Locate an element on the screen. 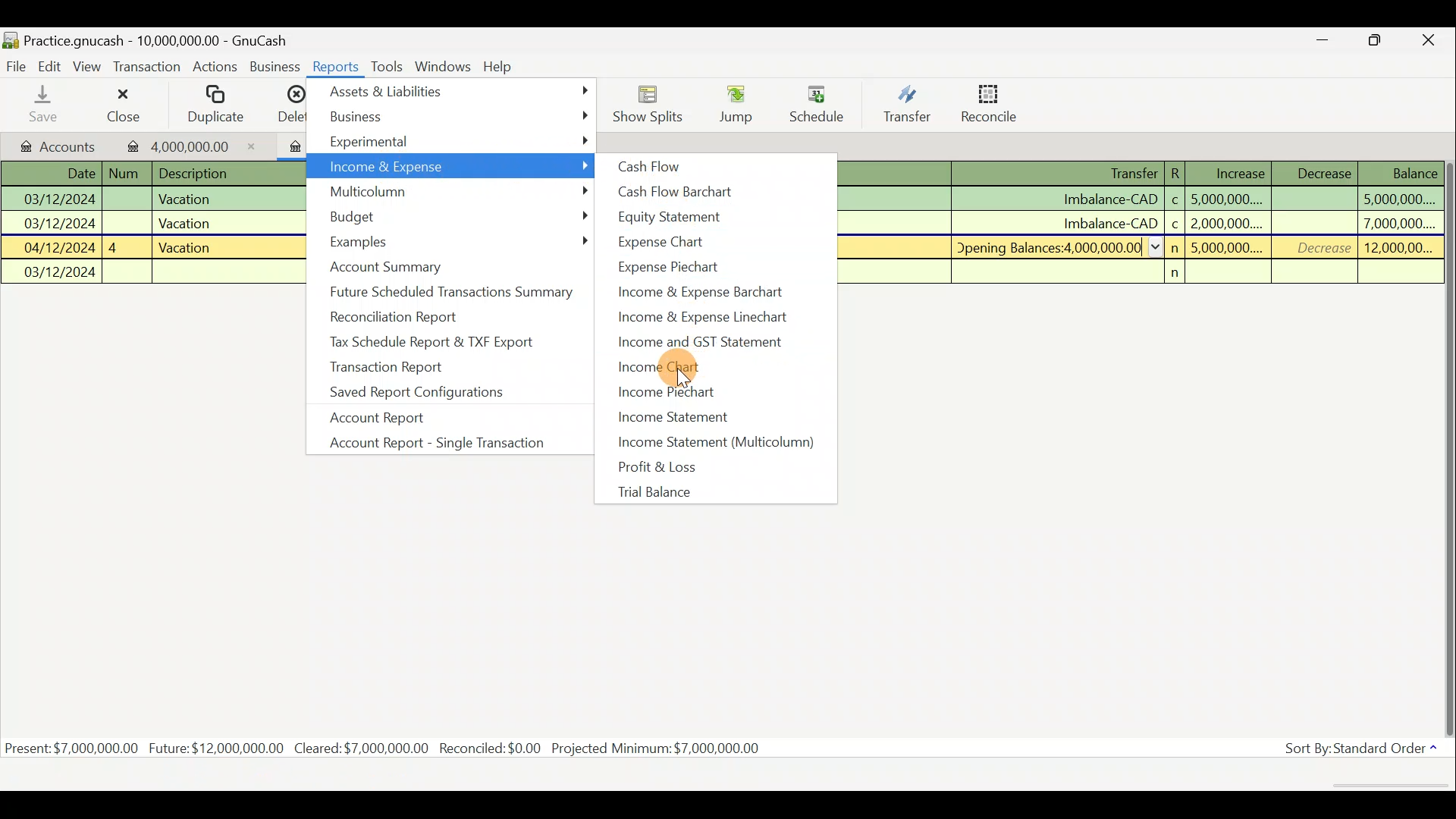 This screenshot has height=819, width=1456. Account report - single transaction is located at coordinates (447, 441).